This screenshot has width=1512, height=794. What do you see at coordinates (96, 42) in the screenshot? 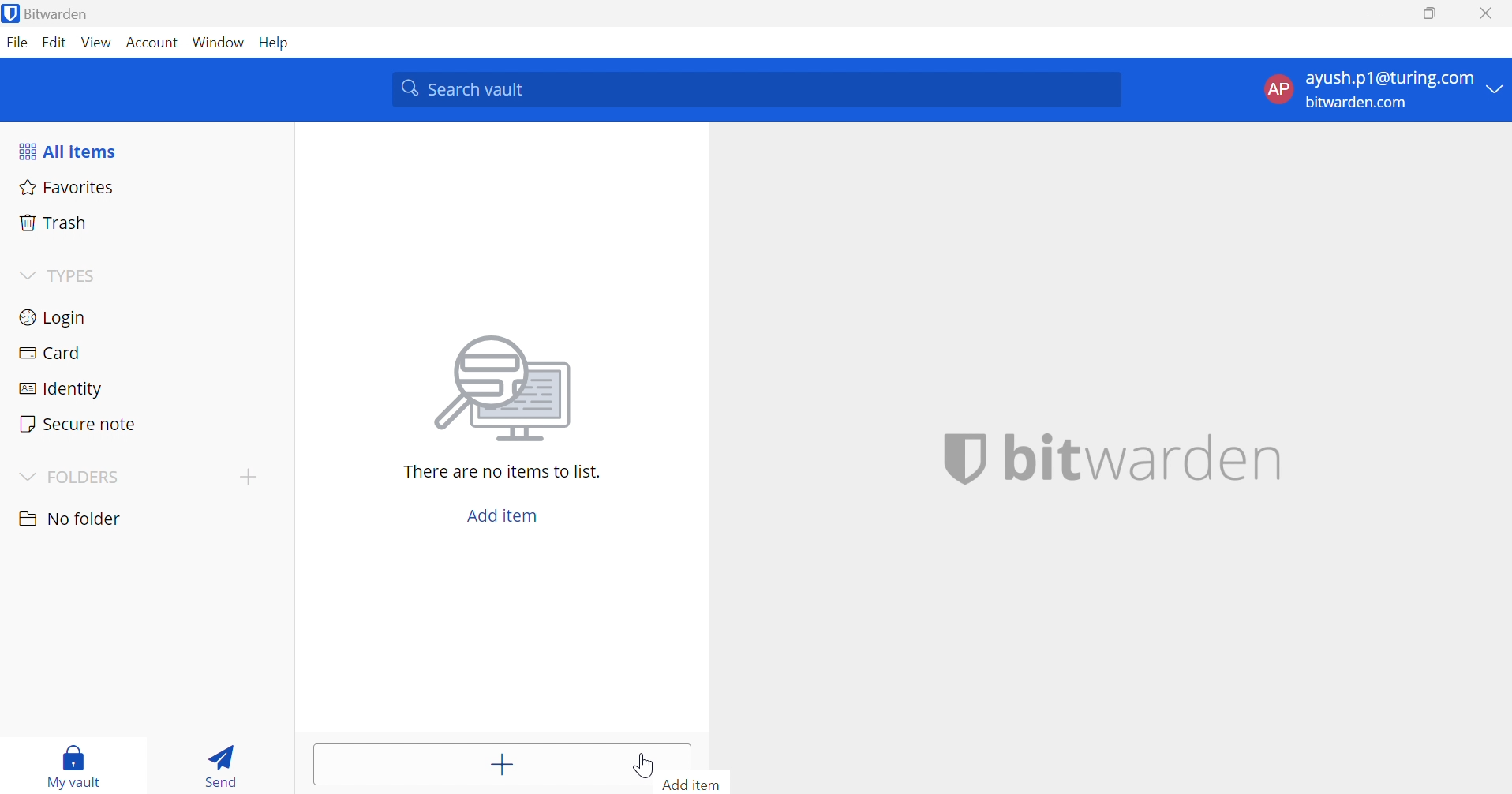
I see `View` at bounding box center [96, 42].